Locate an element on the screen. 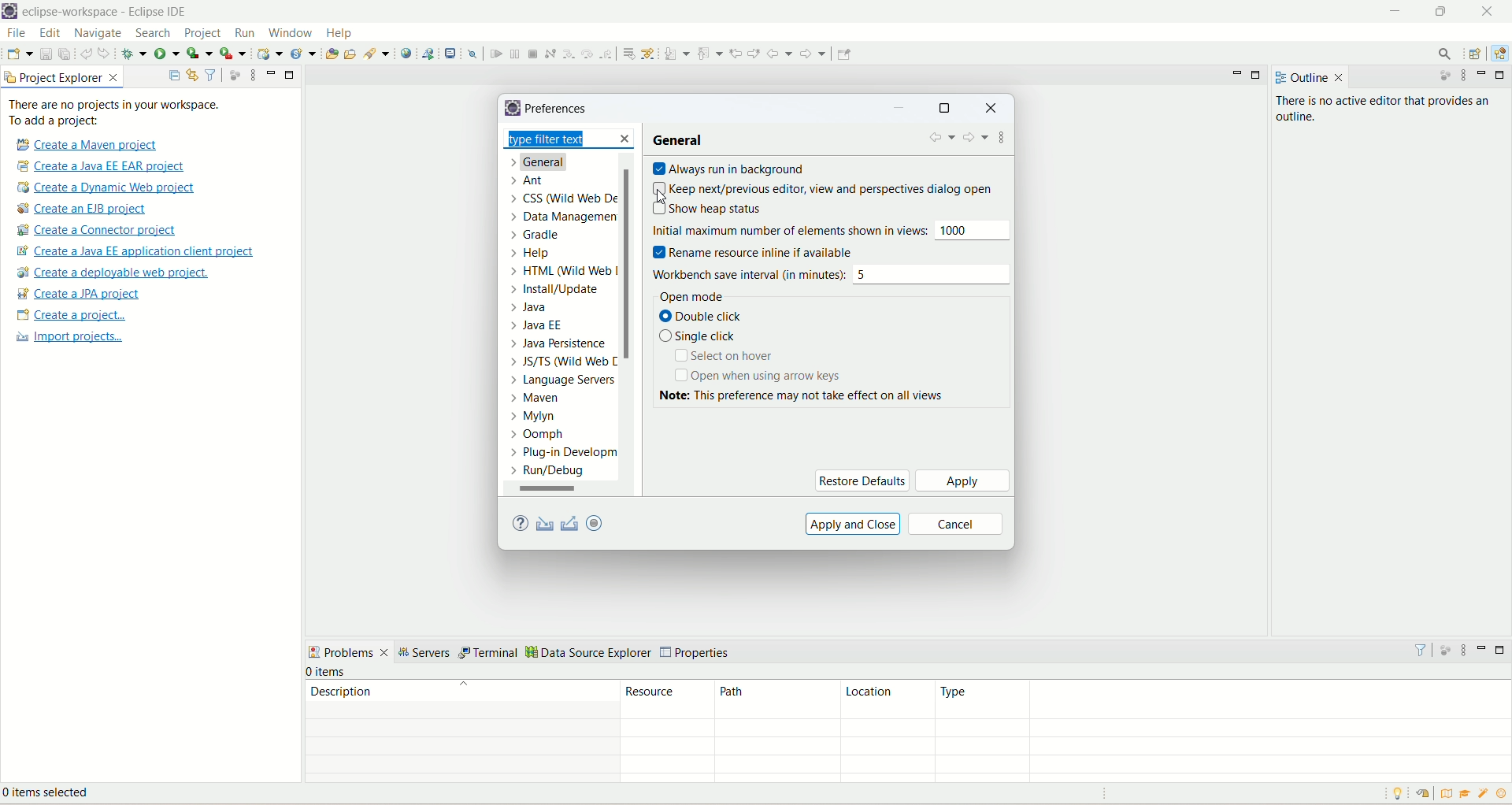 The image size is (1512, 805). resume is located at coordinates (495, 54).